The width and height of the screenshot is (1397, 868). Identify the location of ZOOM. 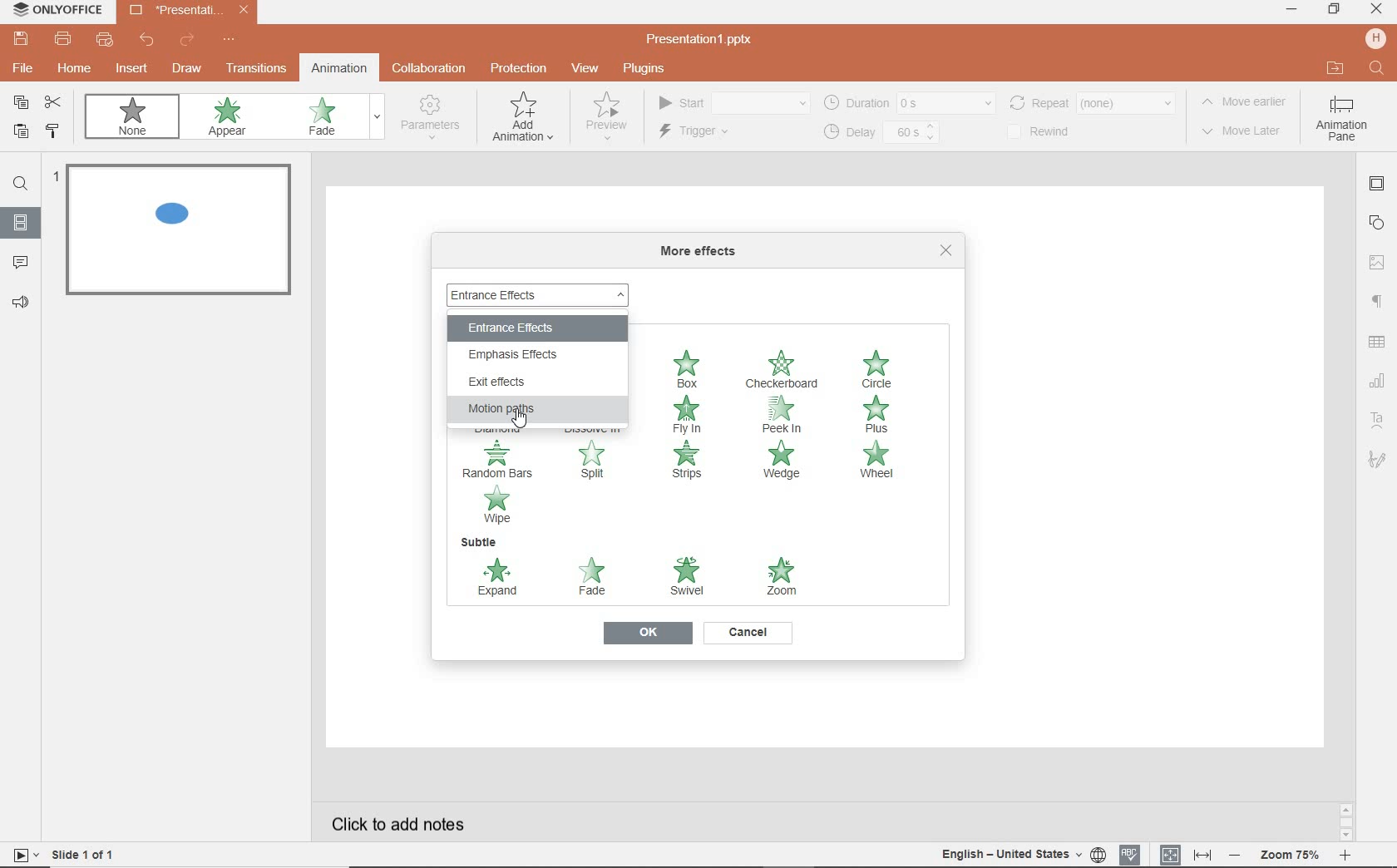
(779, 575).